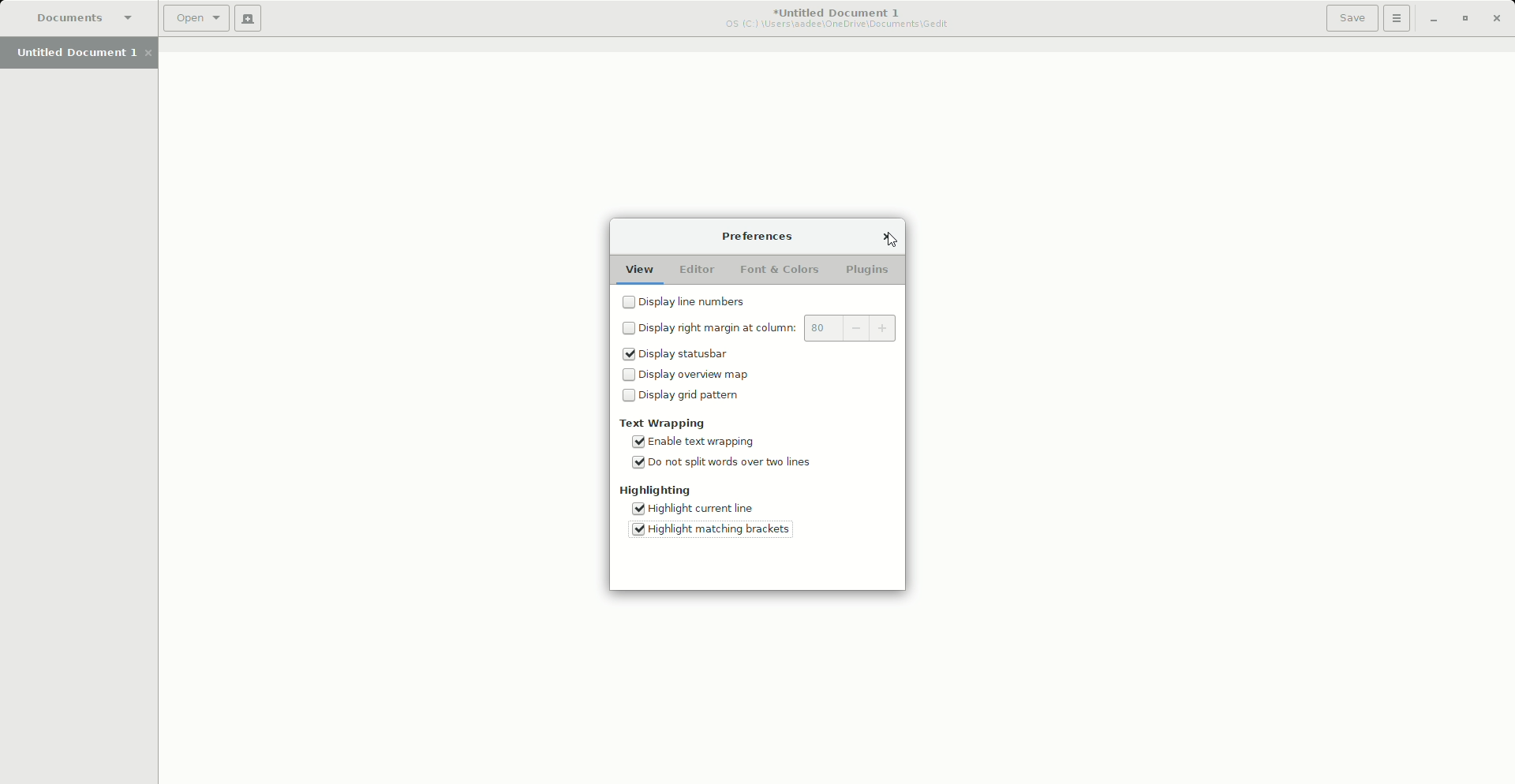 The width and height of the screenshot is (1515, 784). Describe the element at coordinates (686, 376) in the screenshot. I see `Overview map` at that location.